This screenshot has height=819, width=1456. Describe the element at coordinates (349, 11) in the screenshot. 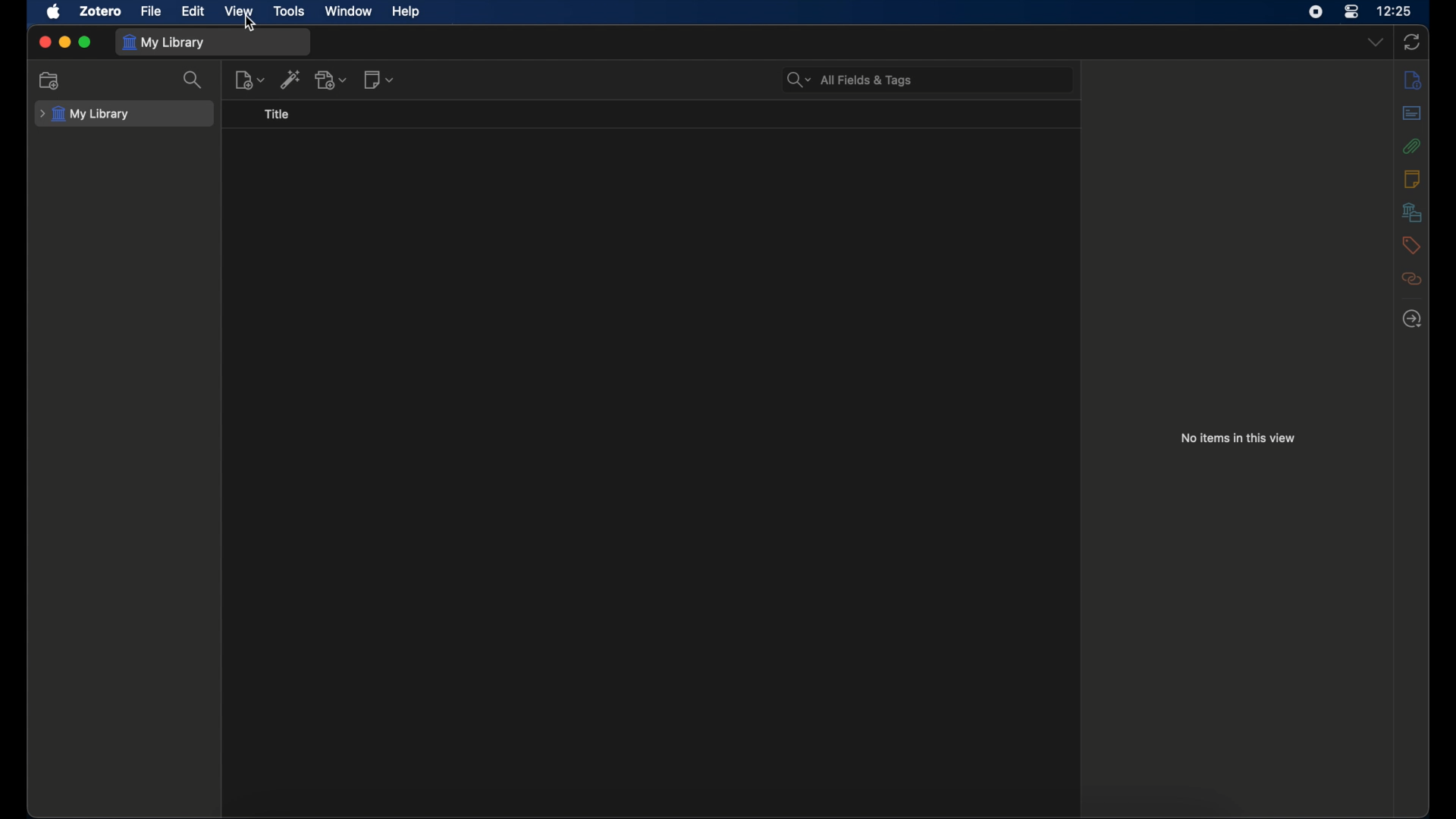

I see `window` at that location.